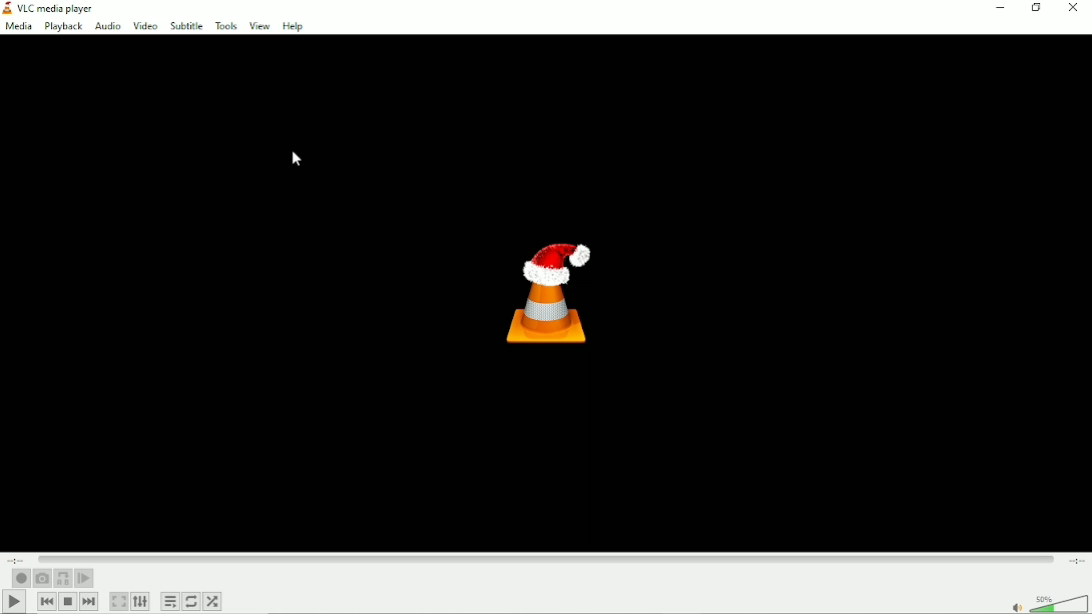 The image size is (1092, 614). I want to click on take a snapshot, so click(41, 579).